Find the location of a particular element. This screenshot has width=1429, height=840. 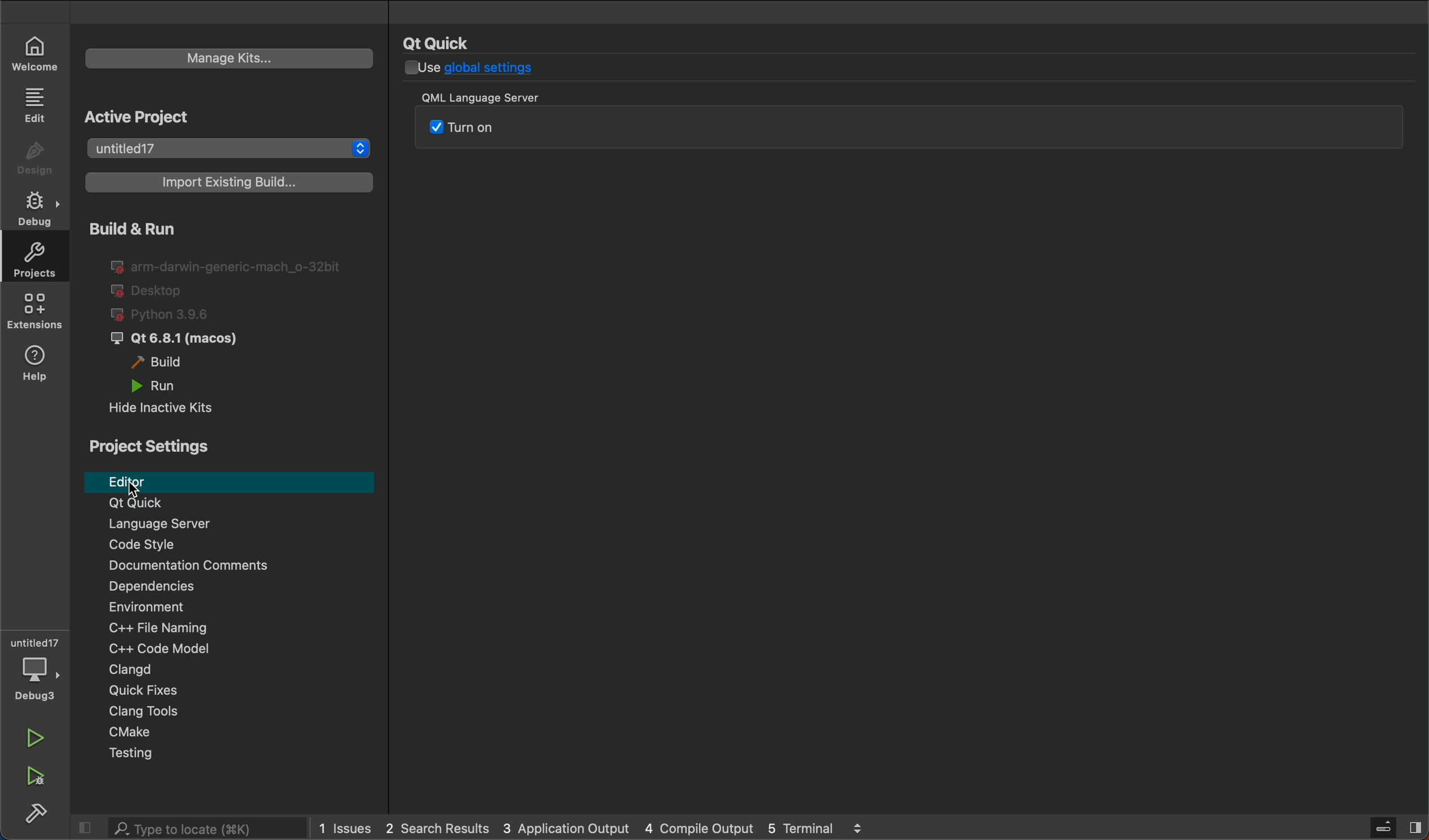

editor is located at coordinates (234, 482).